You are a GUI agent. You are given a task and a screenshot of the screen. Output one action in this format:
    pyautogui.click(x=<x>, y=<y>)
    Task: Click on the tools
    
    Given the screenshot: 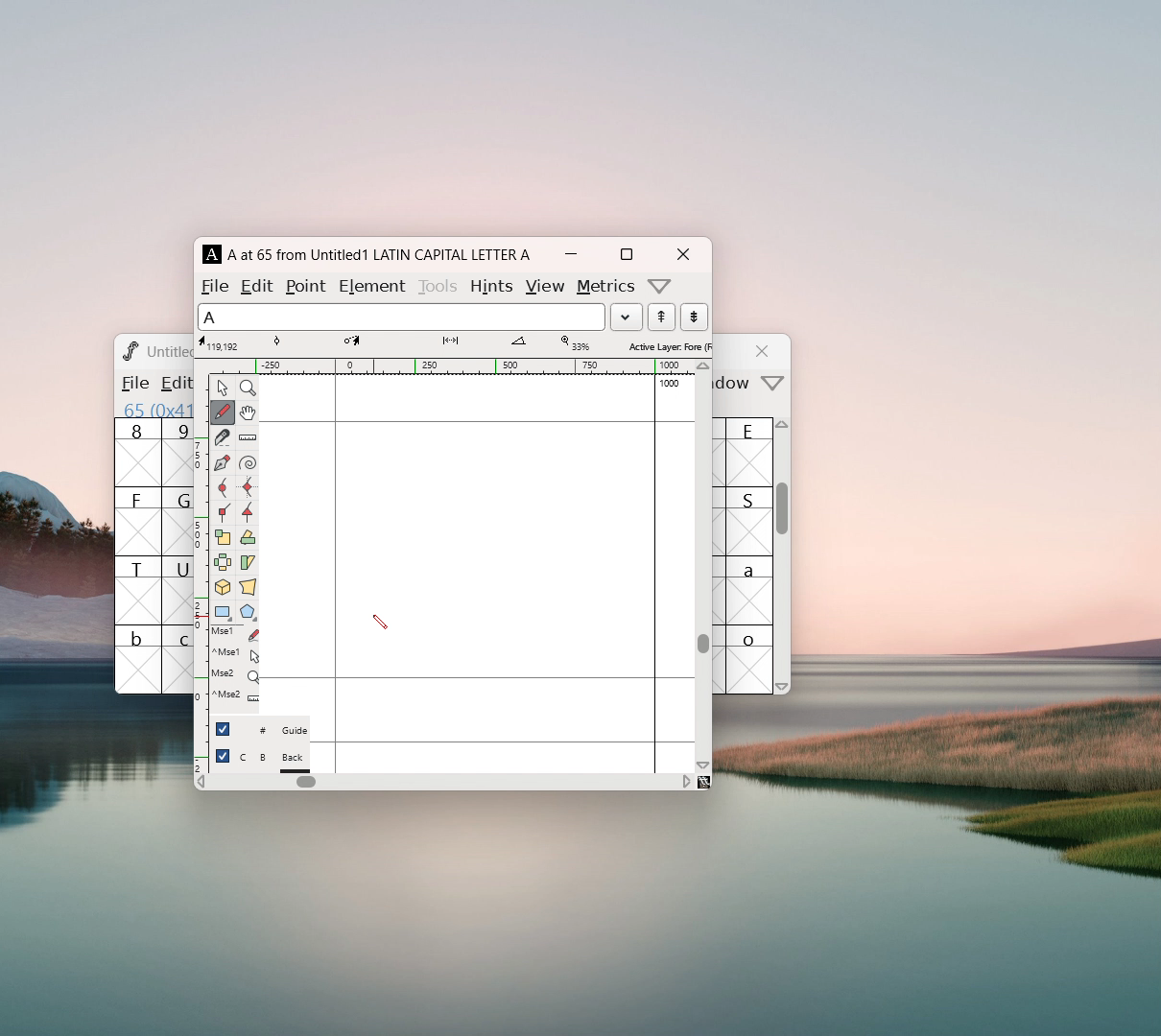 What is the action you would take?
    pyautogui.click(x=439, y=284)
    